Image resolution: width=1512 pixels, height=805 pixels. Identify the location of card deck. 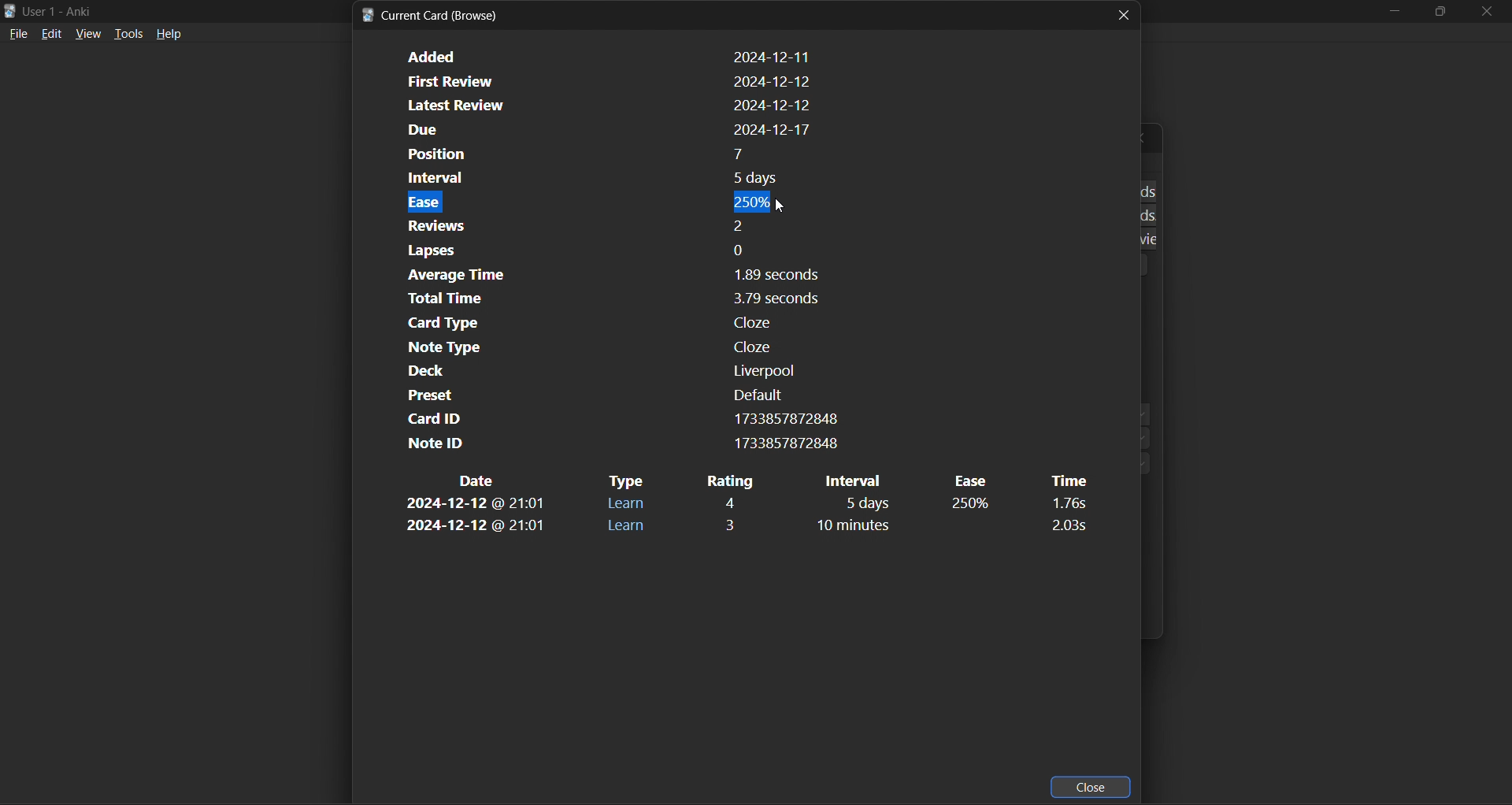
(595, 371).